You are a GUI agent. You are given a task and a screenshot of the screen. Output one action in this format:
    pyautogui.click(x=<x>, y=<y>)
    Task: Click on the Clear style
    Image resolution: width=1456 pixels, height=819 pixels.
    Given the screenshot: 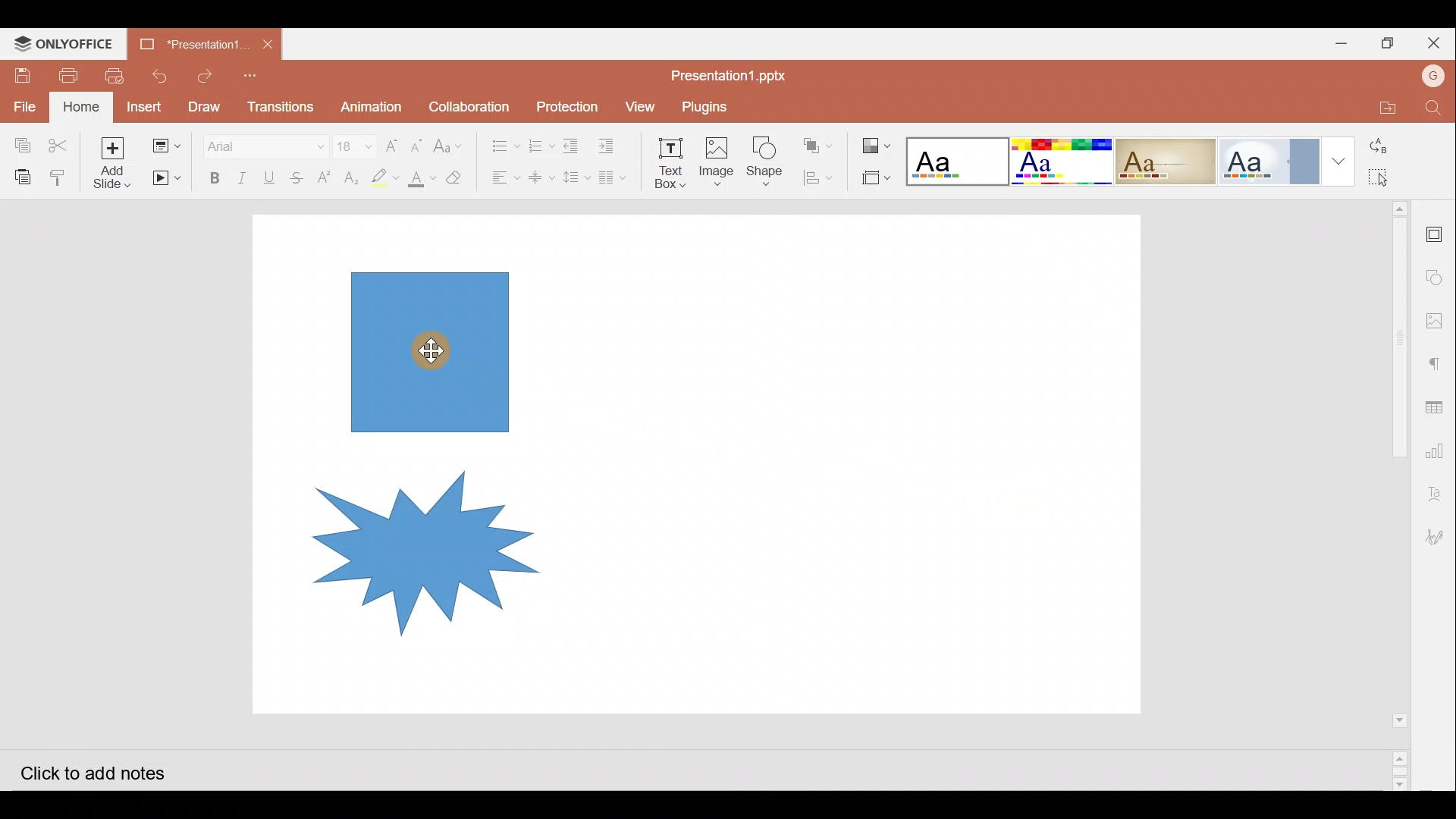 What is the action you would take?
    pyautogui.click(x=456, y=176)
    